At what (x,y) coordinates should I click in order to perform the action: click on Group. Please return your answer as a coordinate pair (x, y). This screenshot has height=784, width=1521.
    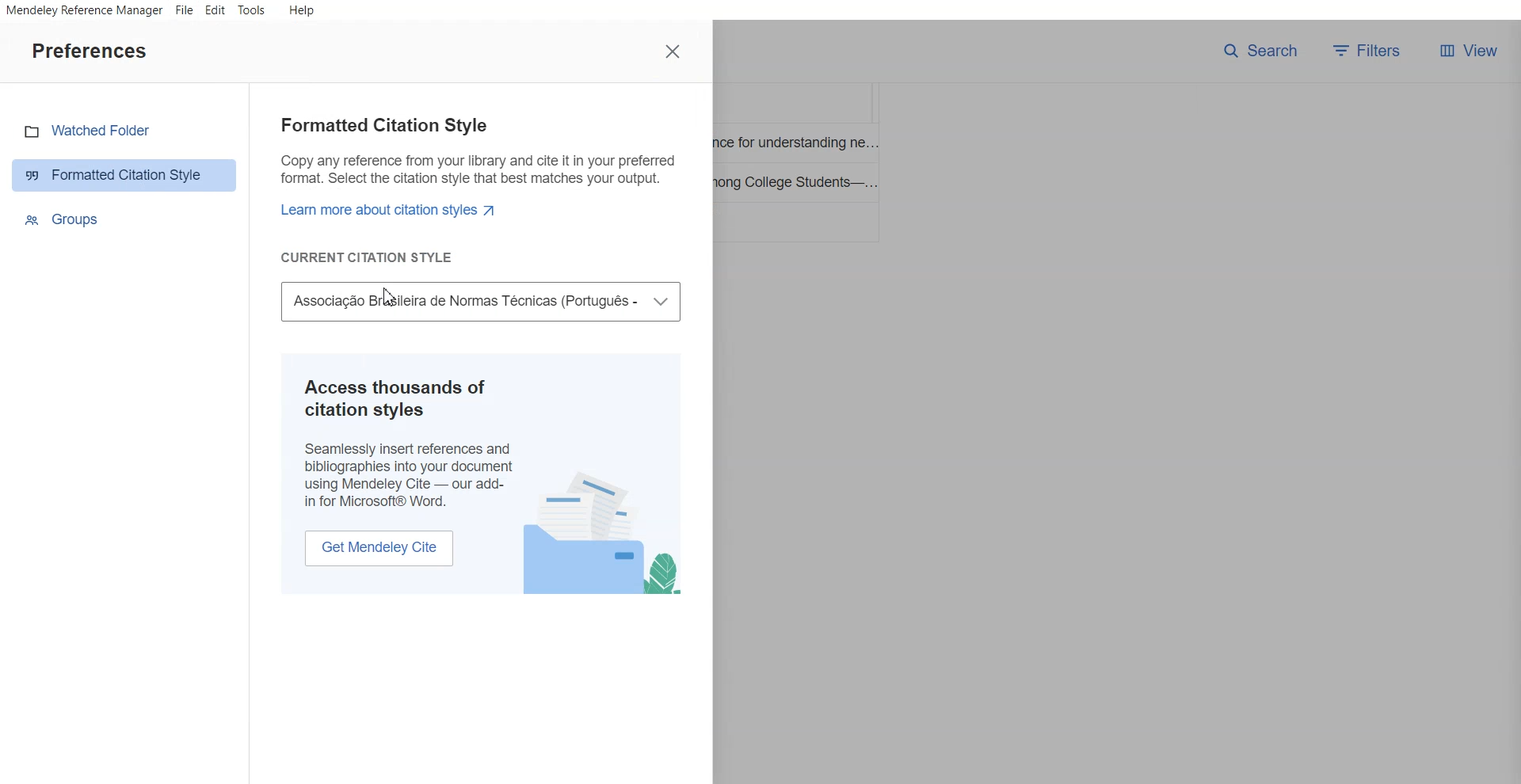
    Looking at the image, I should click on (126, 219).